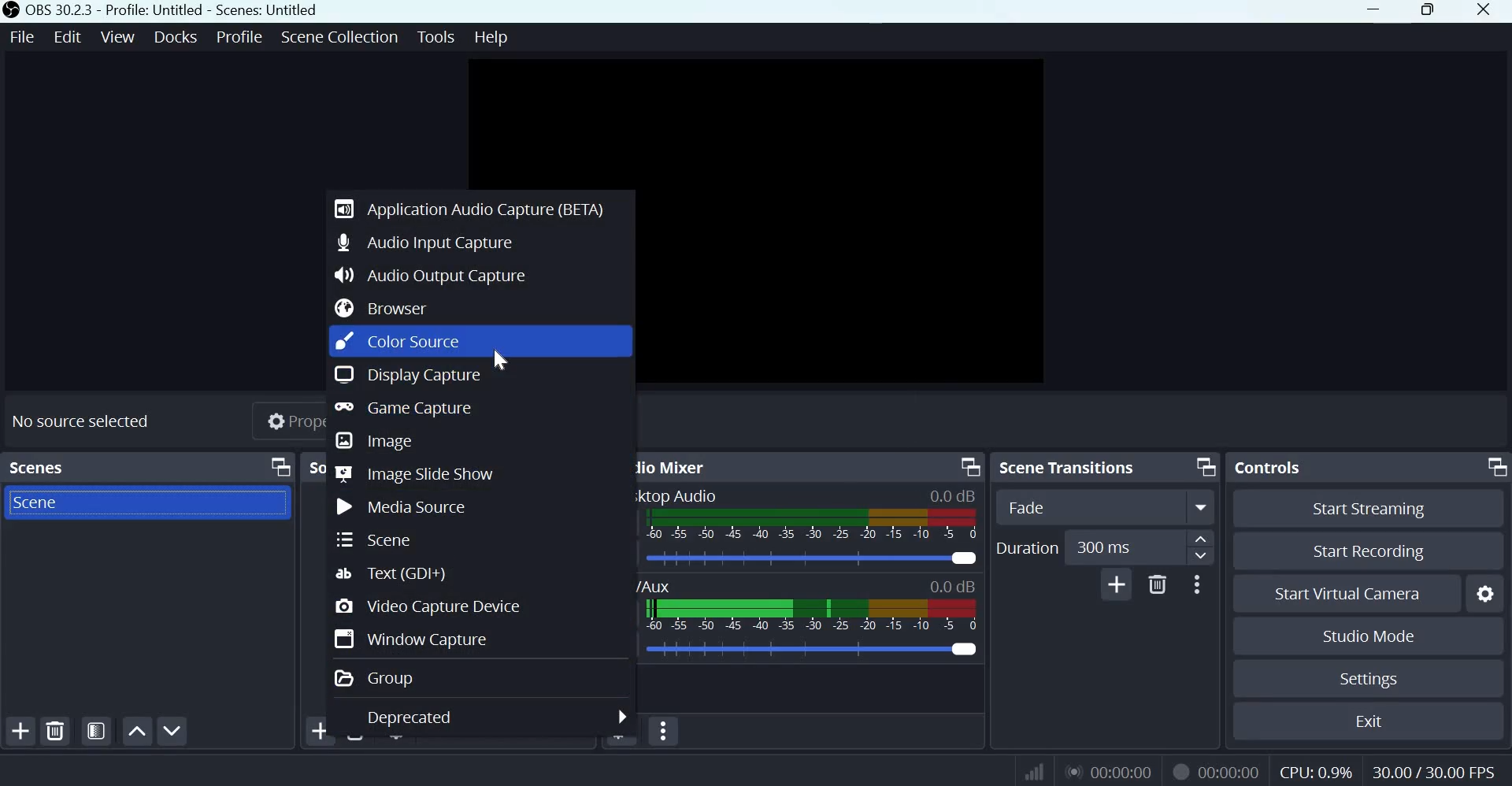 This screenshot has width=1512, height=786. I want to click on Image, so click(380, 439).